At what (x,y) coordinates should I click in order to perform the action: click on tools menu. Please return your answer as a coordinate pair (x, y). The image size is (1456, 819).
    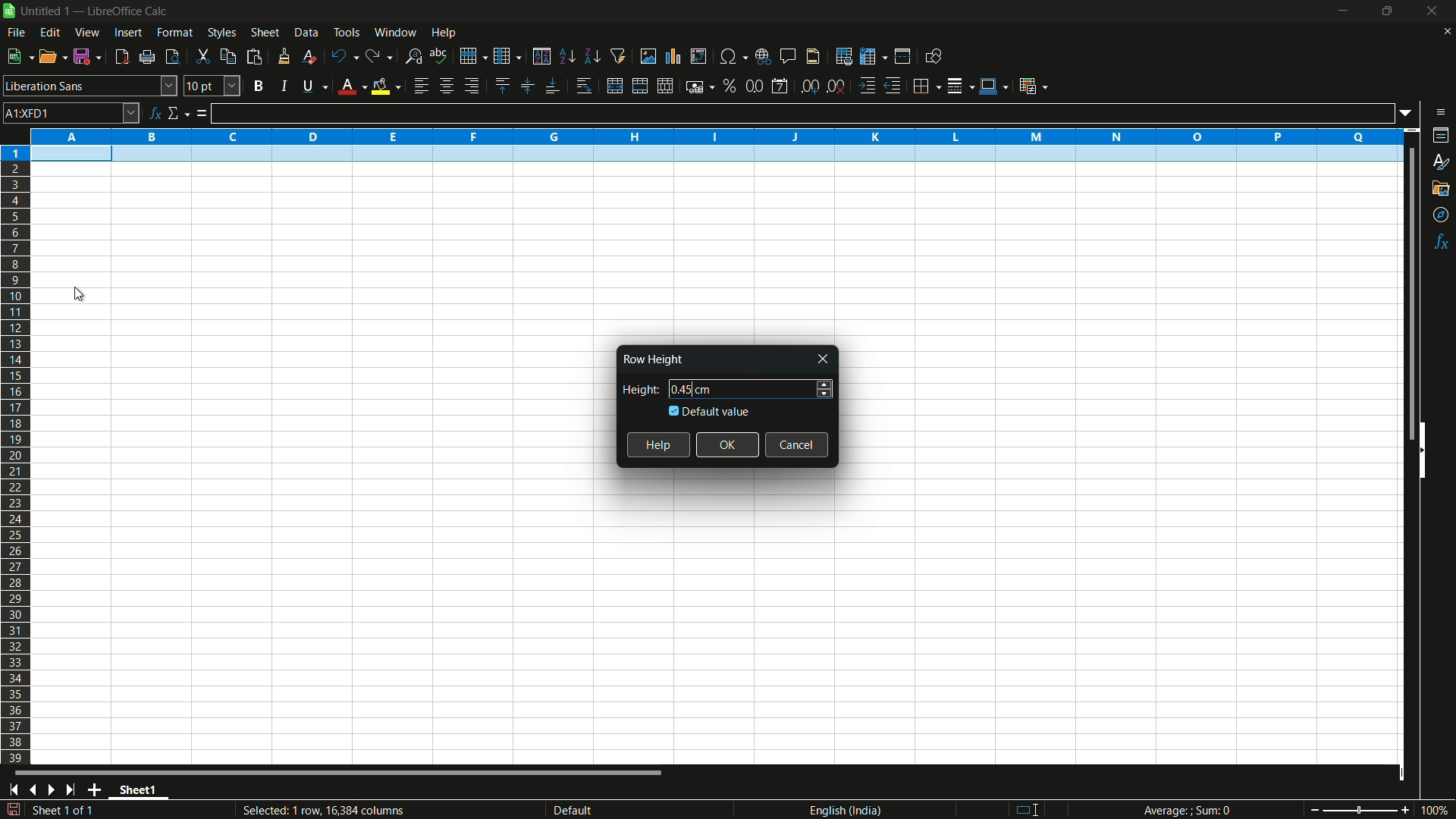
    Looking at the image, I should click on (346, 32).